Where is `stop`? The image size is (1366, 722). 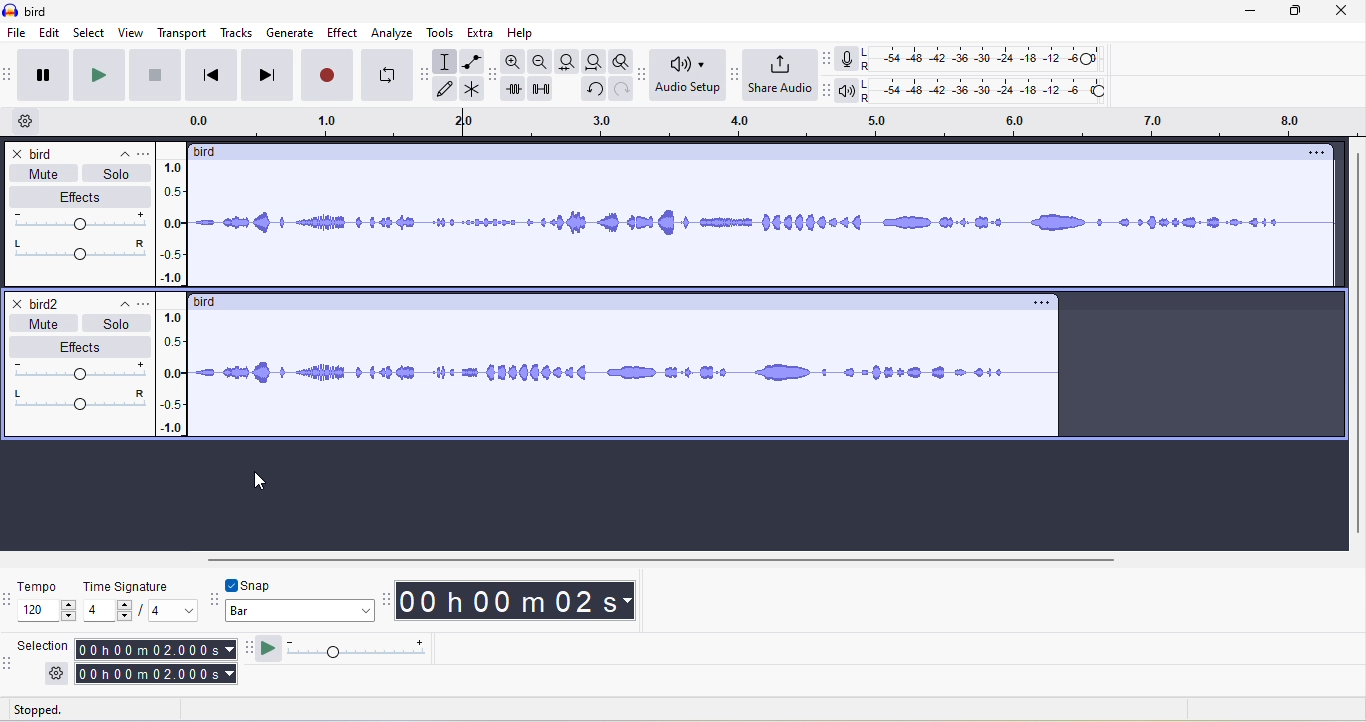
stop is located at coordinates (155, 74).